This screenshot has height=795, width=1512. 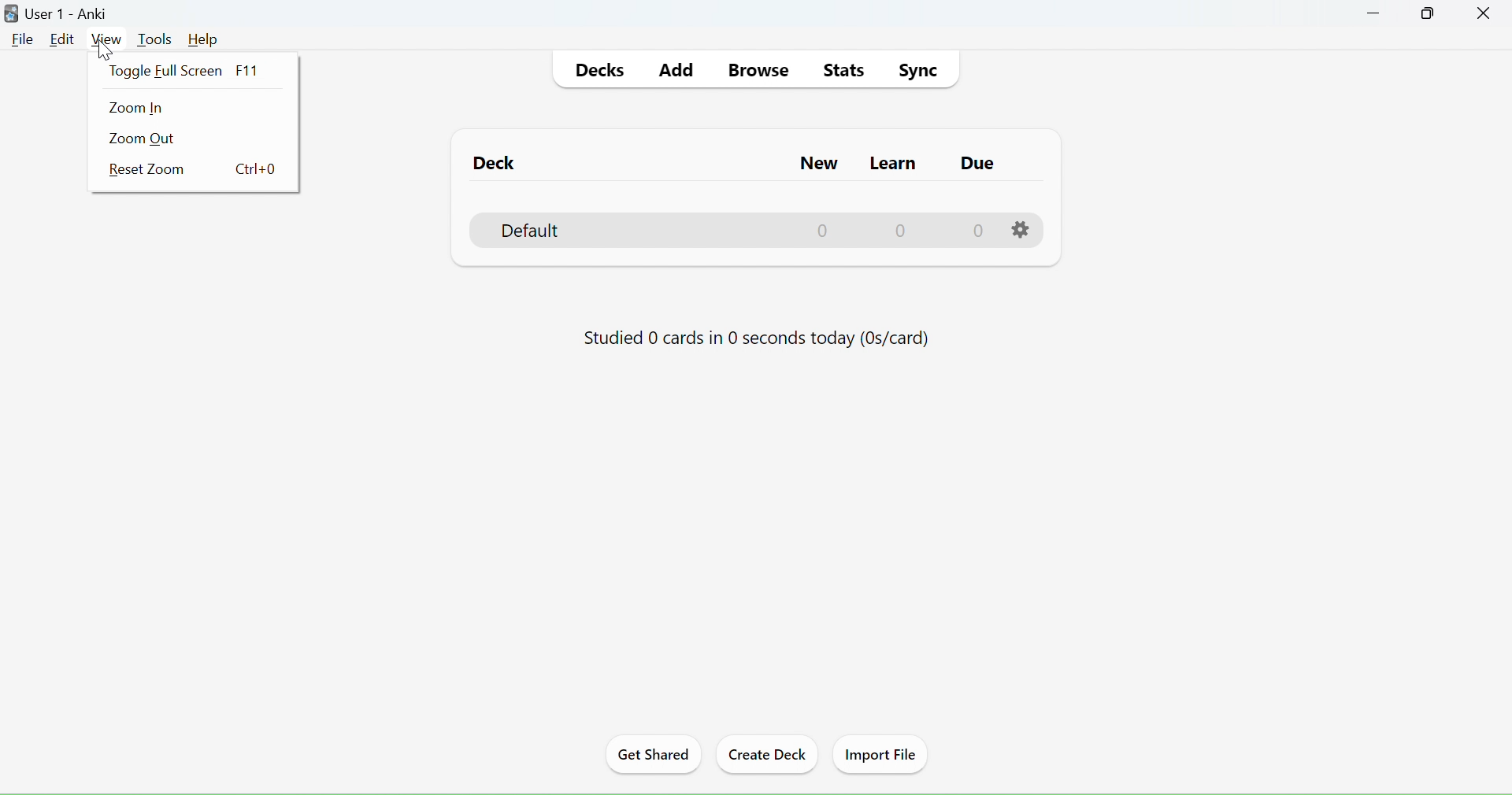 I want to click on setting, so click(x=1020, y=227).